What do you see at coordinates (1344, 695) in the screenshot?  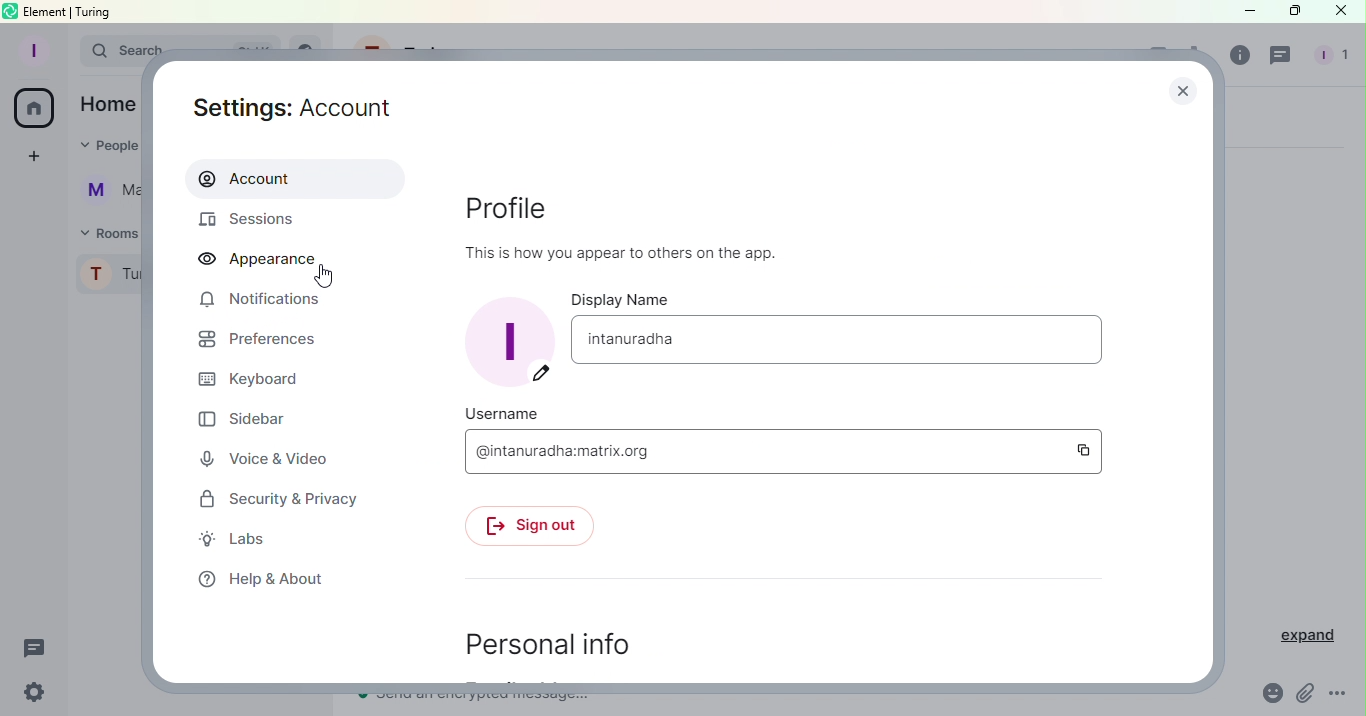 I see `More Options` at bounding box center [1344, 695].